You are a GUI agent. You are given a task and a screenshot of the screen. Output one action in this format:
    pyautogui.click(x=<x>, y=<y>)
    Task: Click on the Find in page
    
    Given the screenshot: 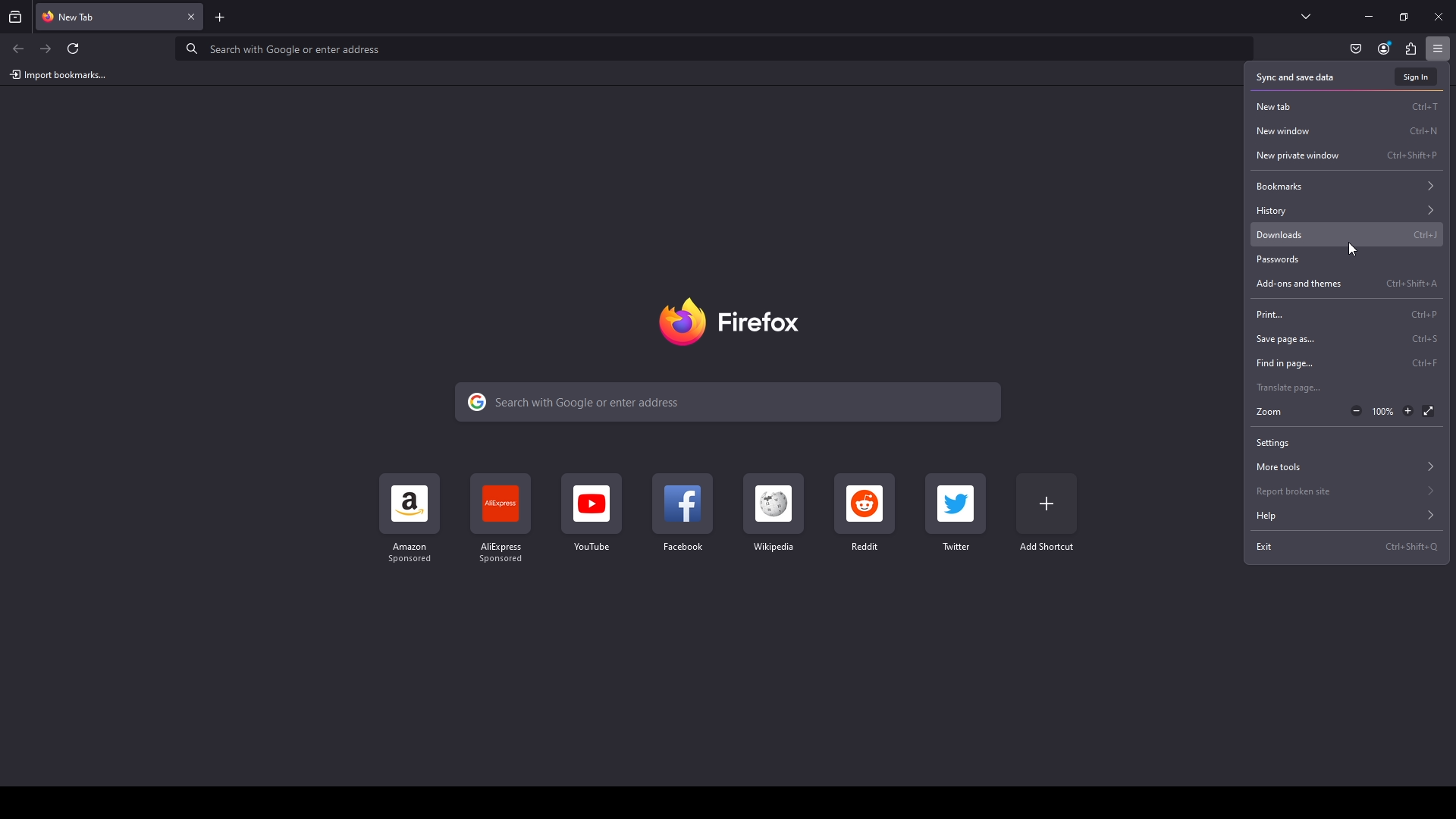 What is the action you would take?
    pyautogui.click(x=1349, y=365)
    